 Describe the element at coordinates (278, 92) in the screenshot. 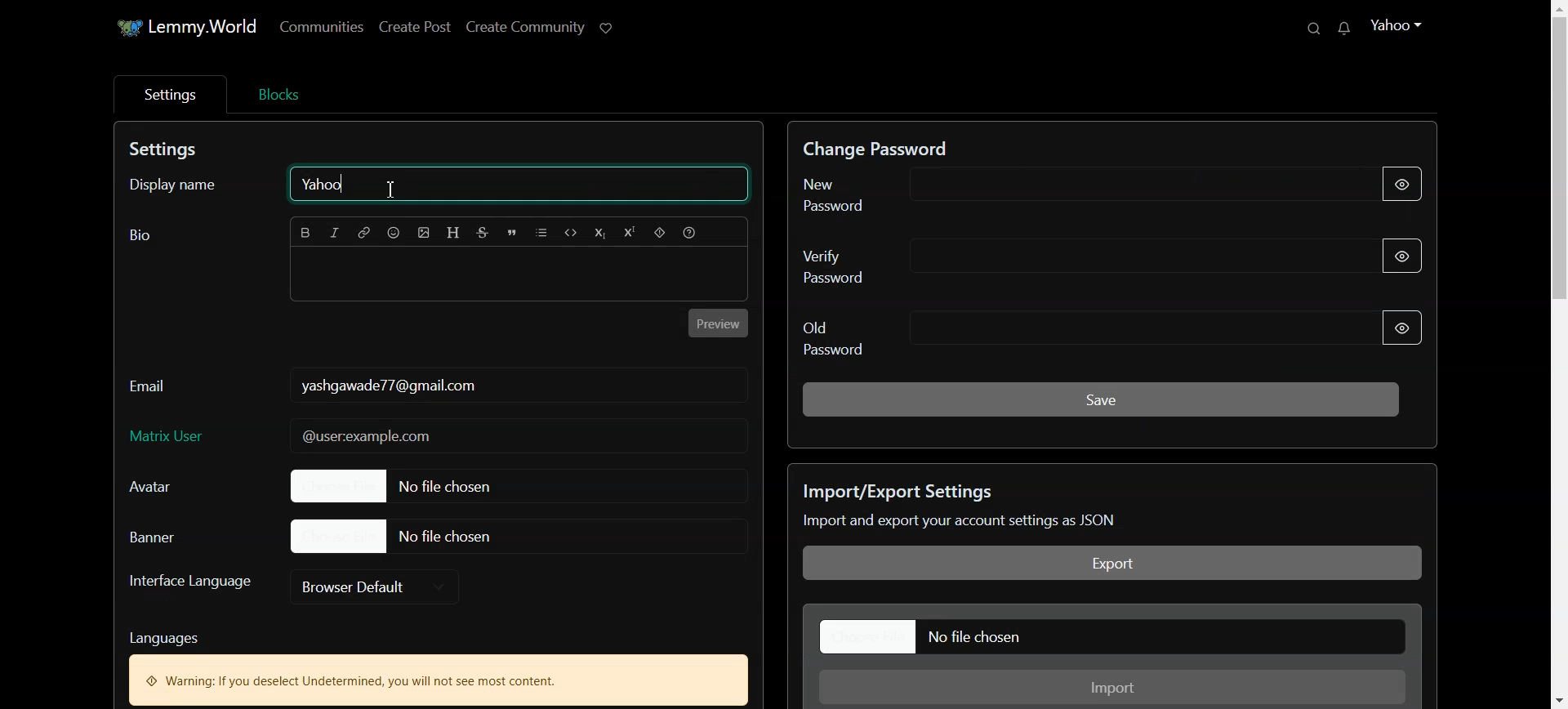

I see `Blocks` at that location.